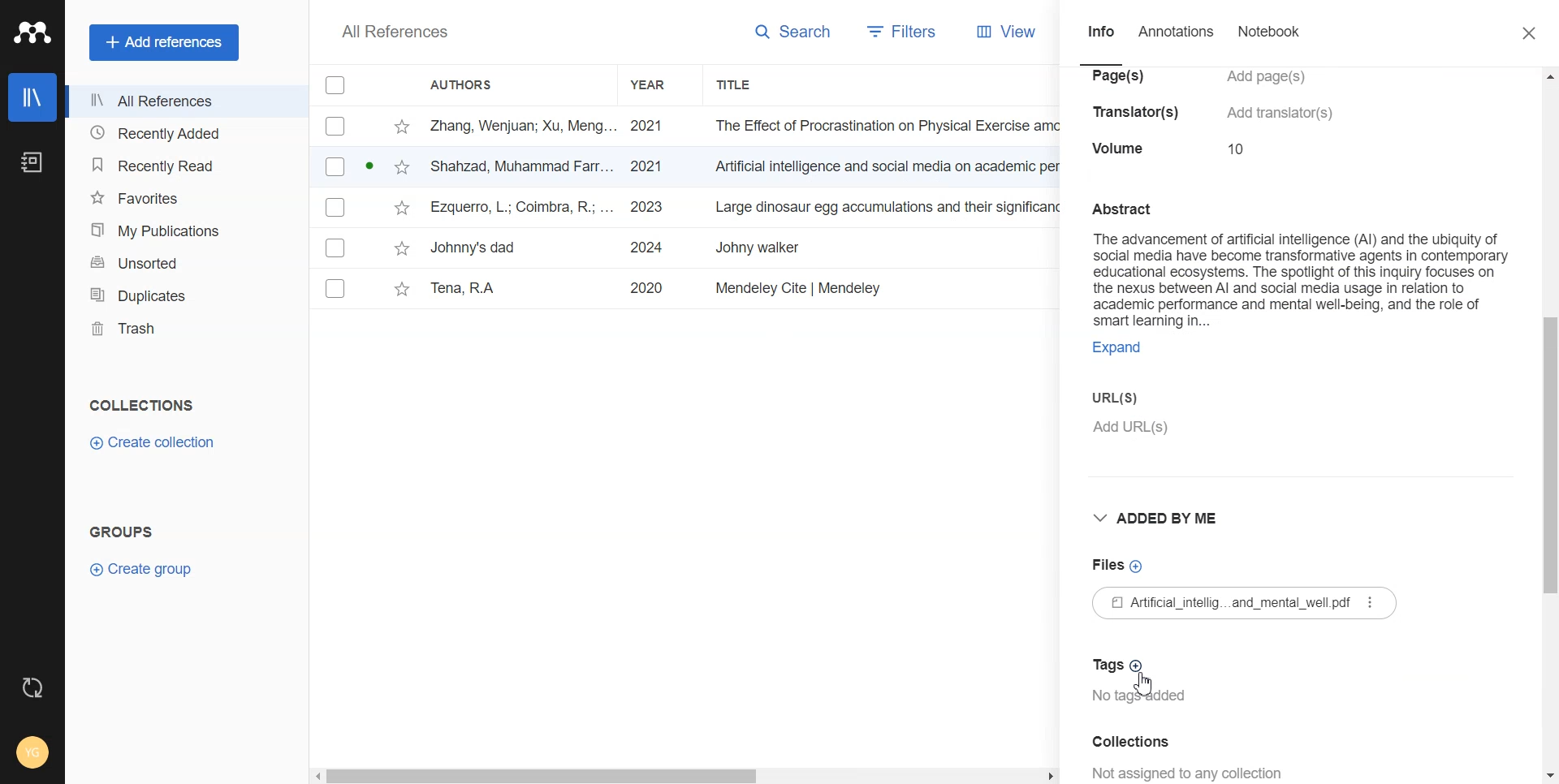  I want to click on Add references, so click(164, 41).